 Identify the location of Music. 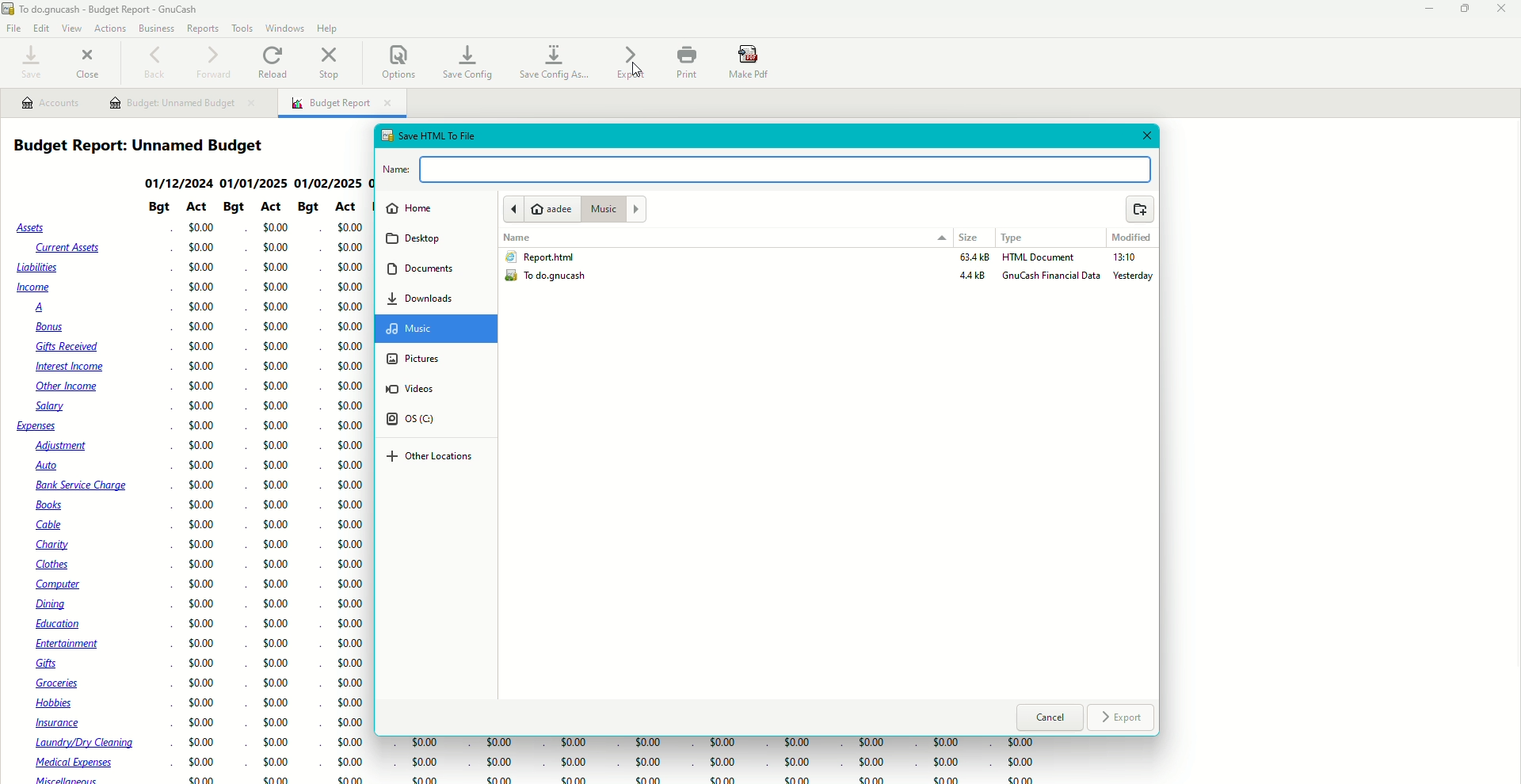
(422, 329).